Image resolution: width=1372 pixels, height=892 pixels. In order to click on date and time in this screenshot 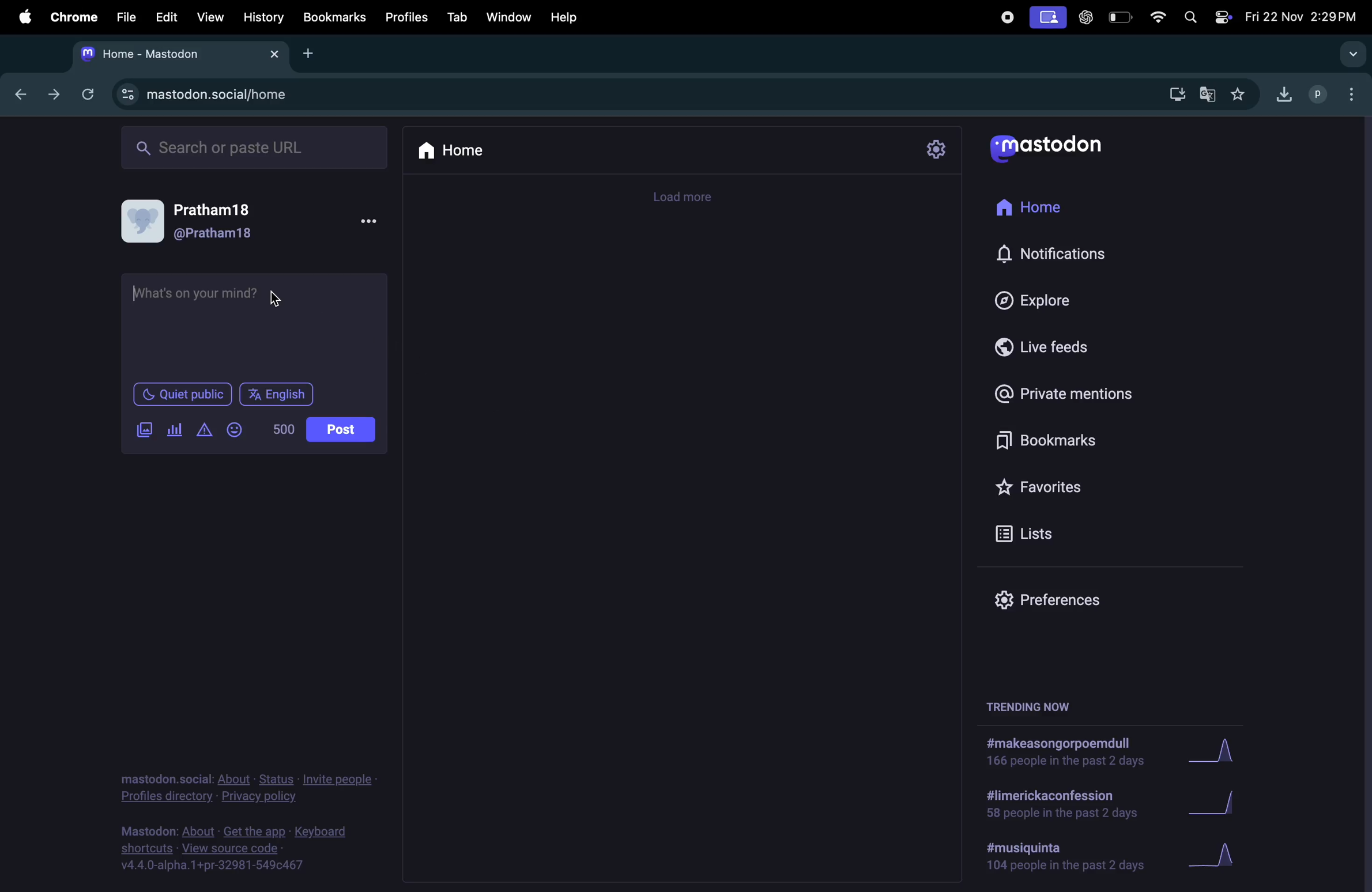, I will do `click(1305, 16)`.